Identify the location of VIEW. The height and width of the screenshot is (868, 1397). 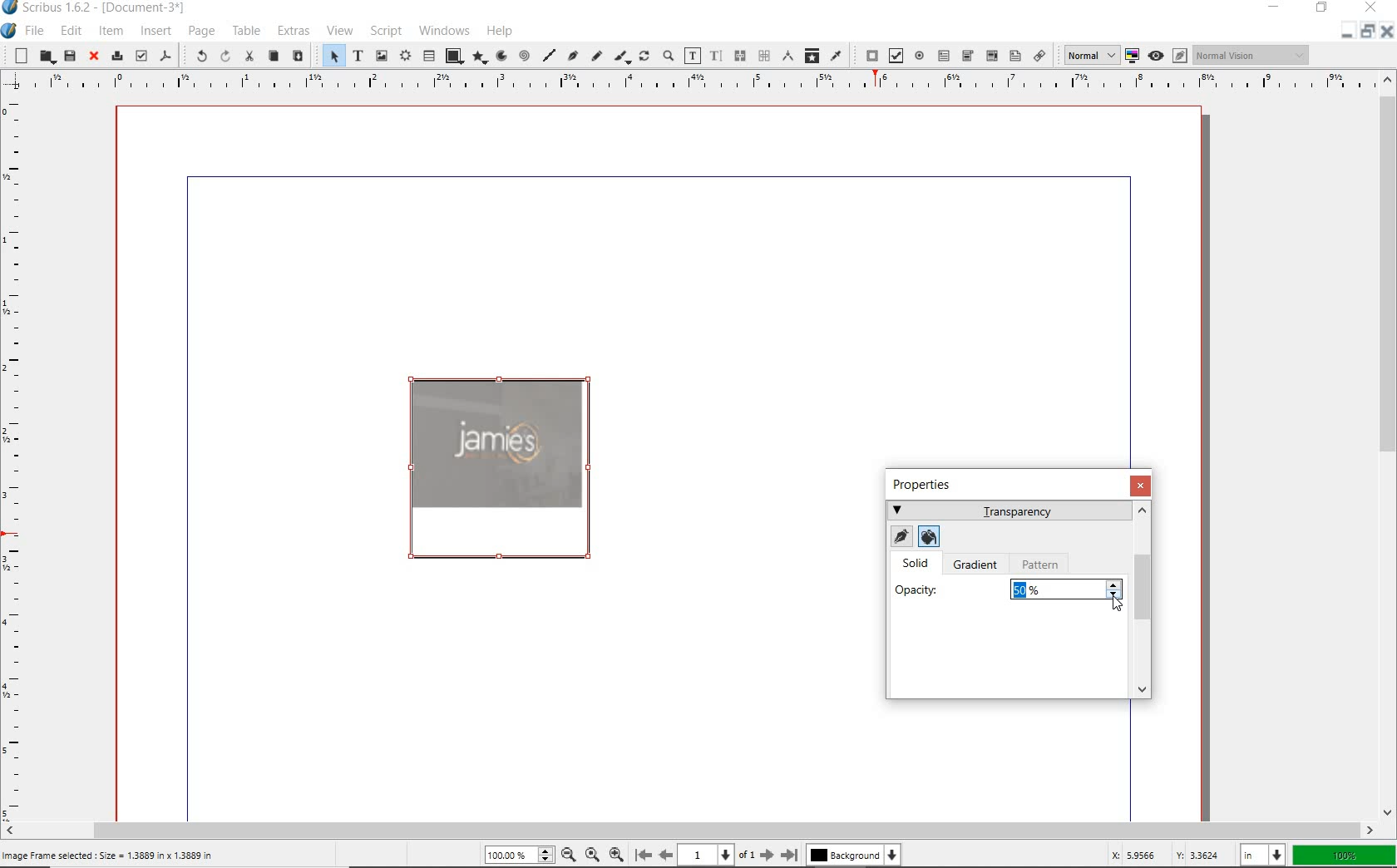
(341, 29).